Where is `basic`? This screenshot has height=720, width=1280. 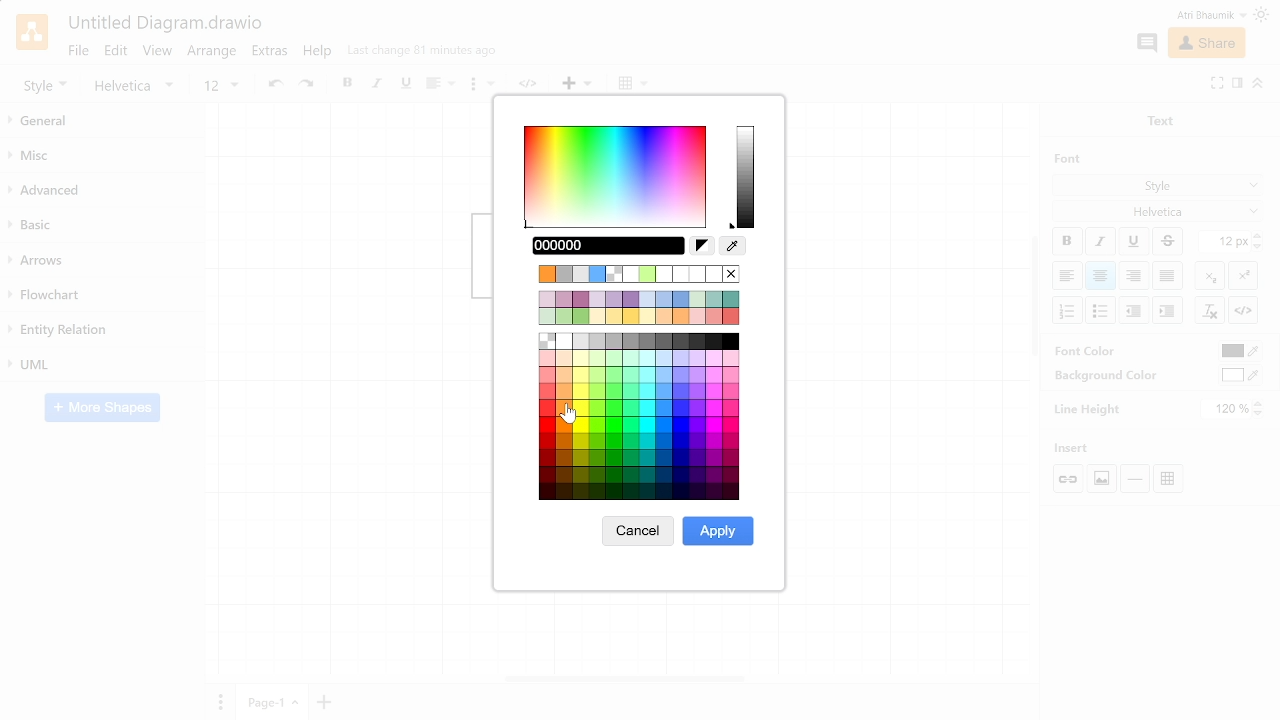
basic is located at coordinates (102, 226).